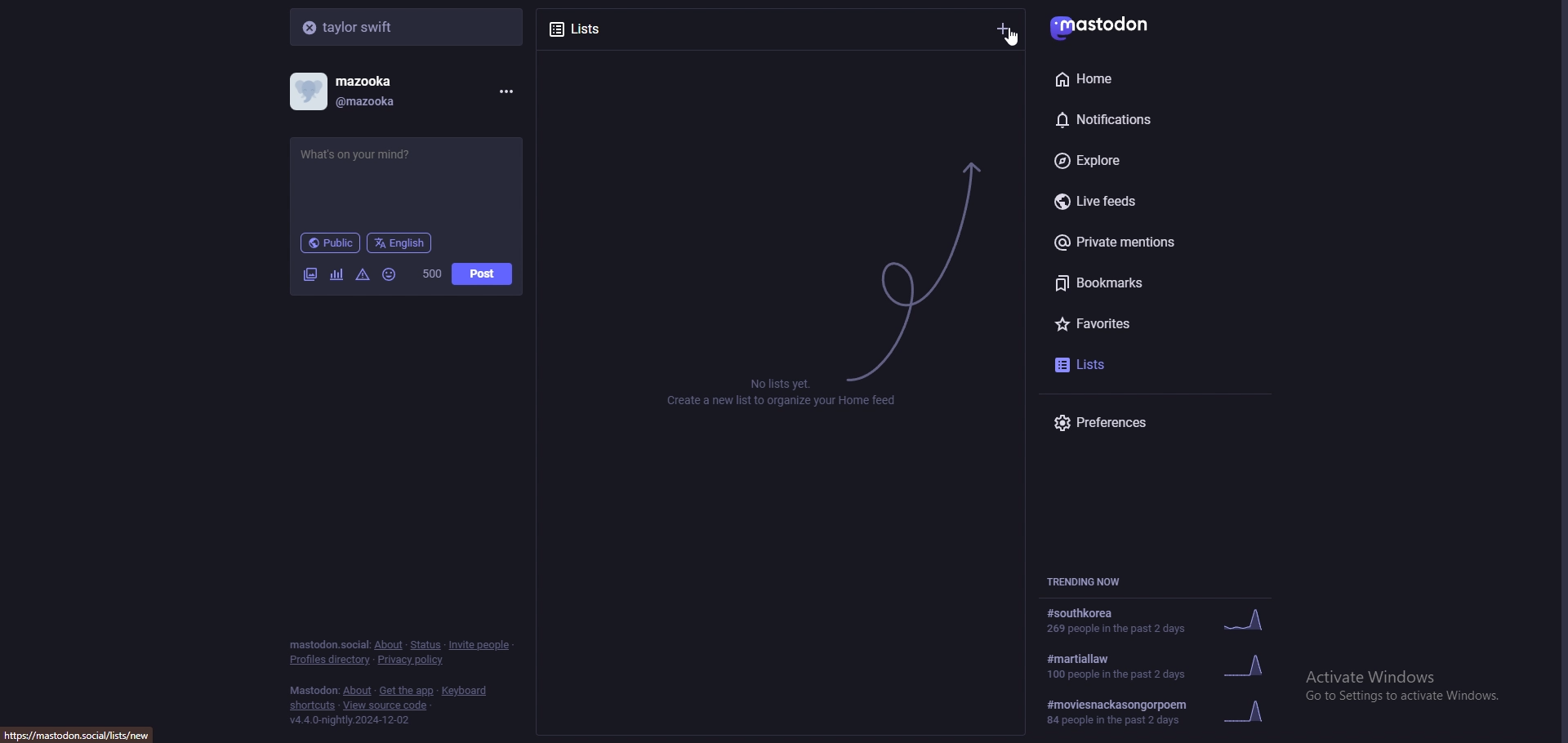 This screenshot has width=1568, height=743. Describe the element at coordinates (359, 692) in the screenshot. I see `about` at that location.